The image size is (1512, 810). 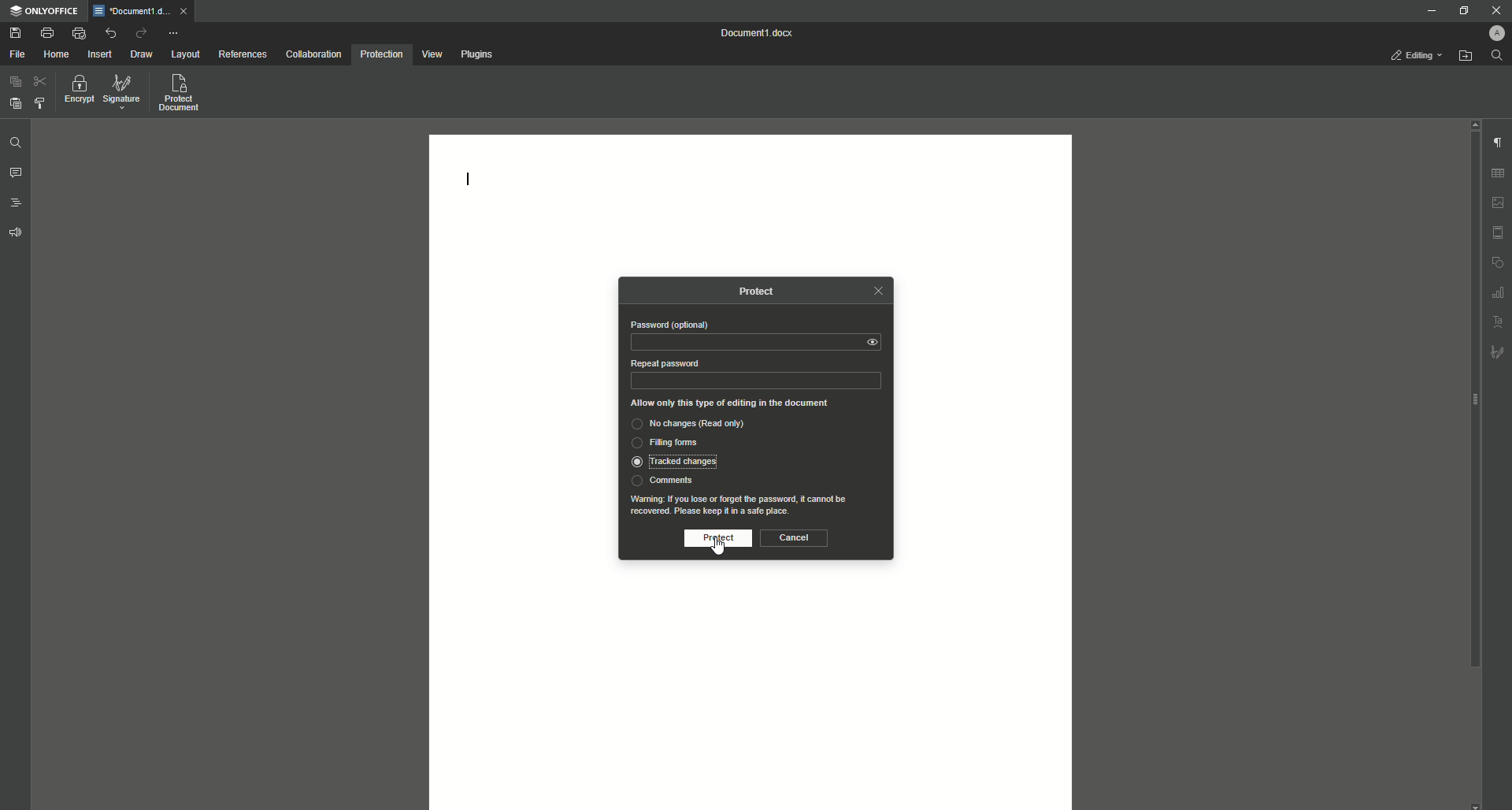 I want to click on Restore, so click(x=1463, y=11).